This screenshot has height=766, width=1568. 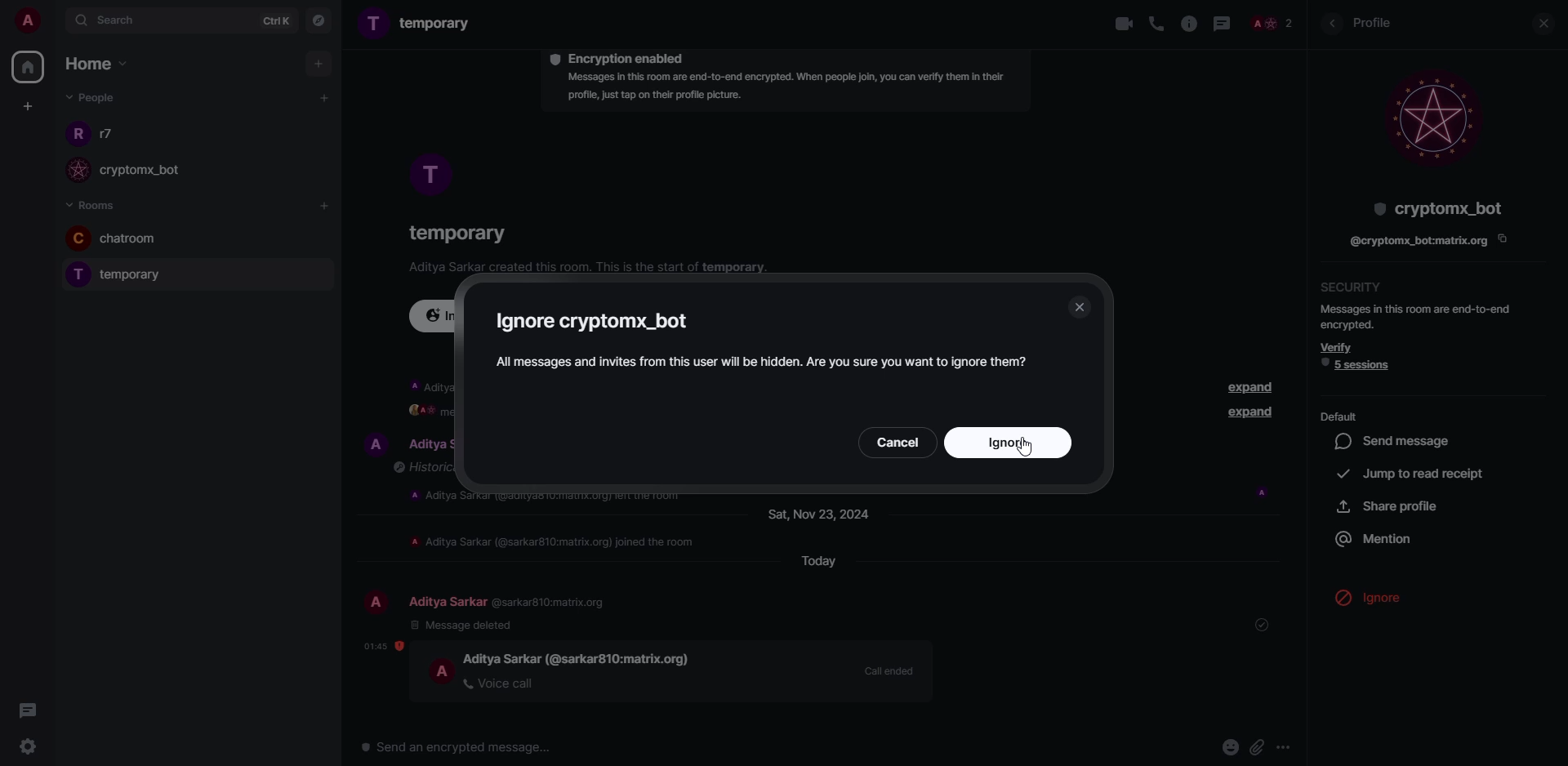 What do you see at coordinates (1251, 413) in the screenshot?
I see `expand` at bounding box center [1251, 413].